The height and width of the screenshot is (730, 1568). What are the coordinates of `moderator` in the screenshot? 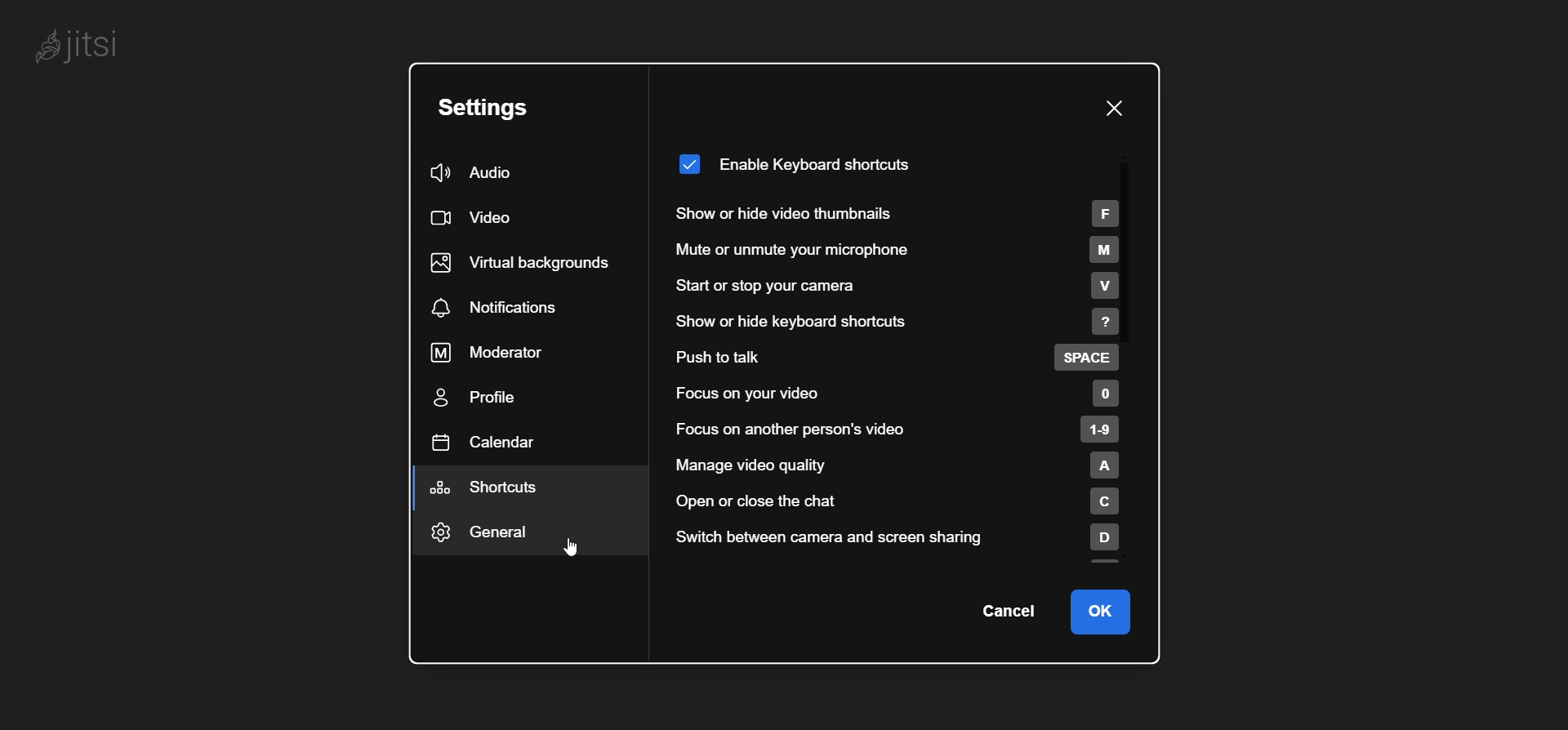 It's located at (500, 351).